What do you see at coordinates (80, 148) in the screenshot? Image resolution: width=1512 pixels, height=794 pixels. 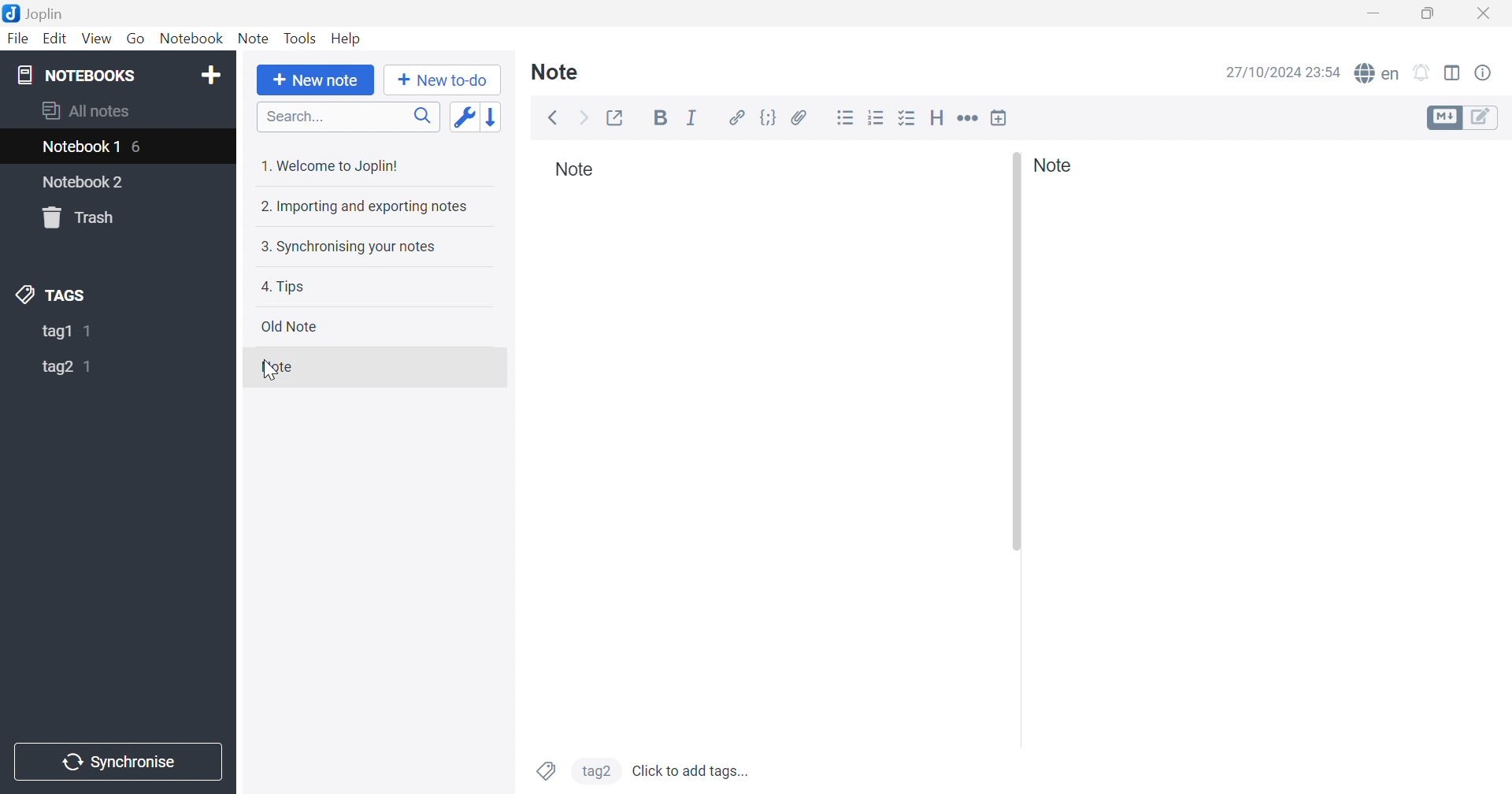 I see `Notebook1` at bounding box center [80, 148].